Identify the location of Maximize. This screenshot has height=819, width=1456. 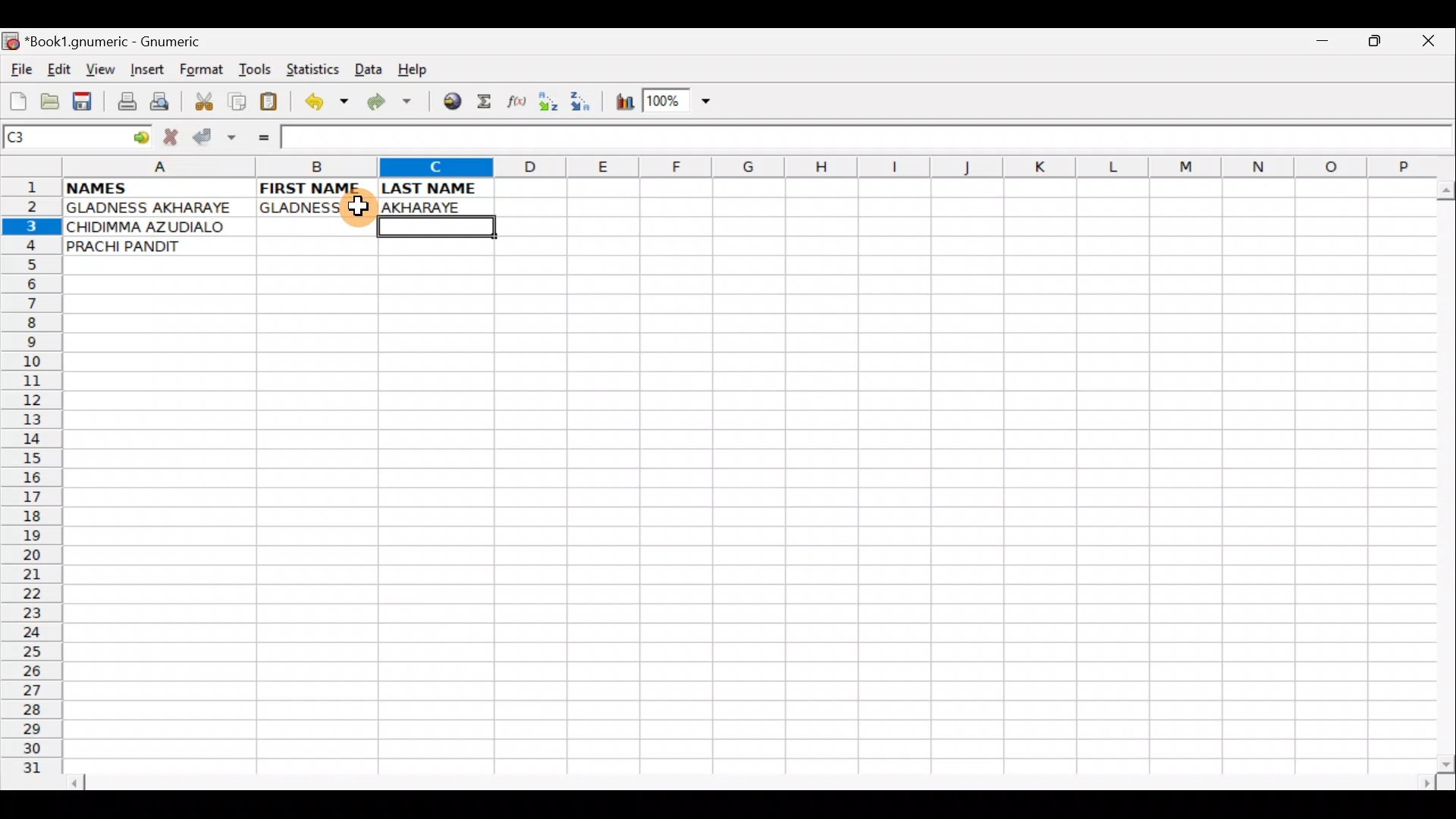
(1377, 44).